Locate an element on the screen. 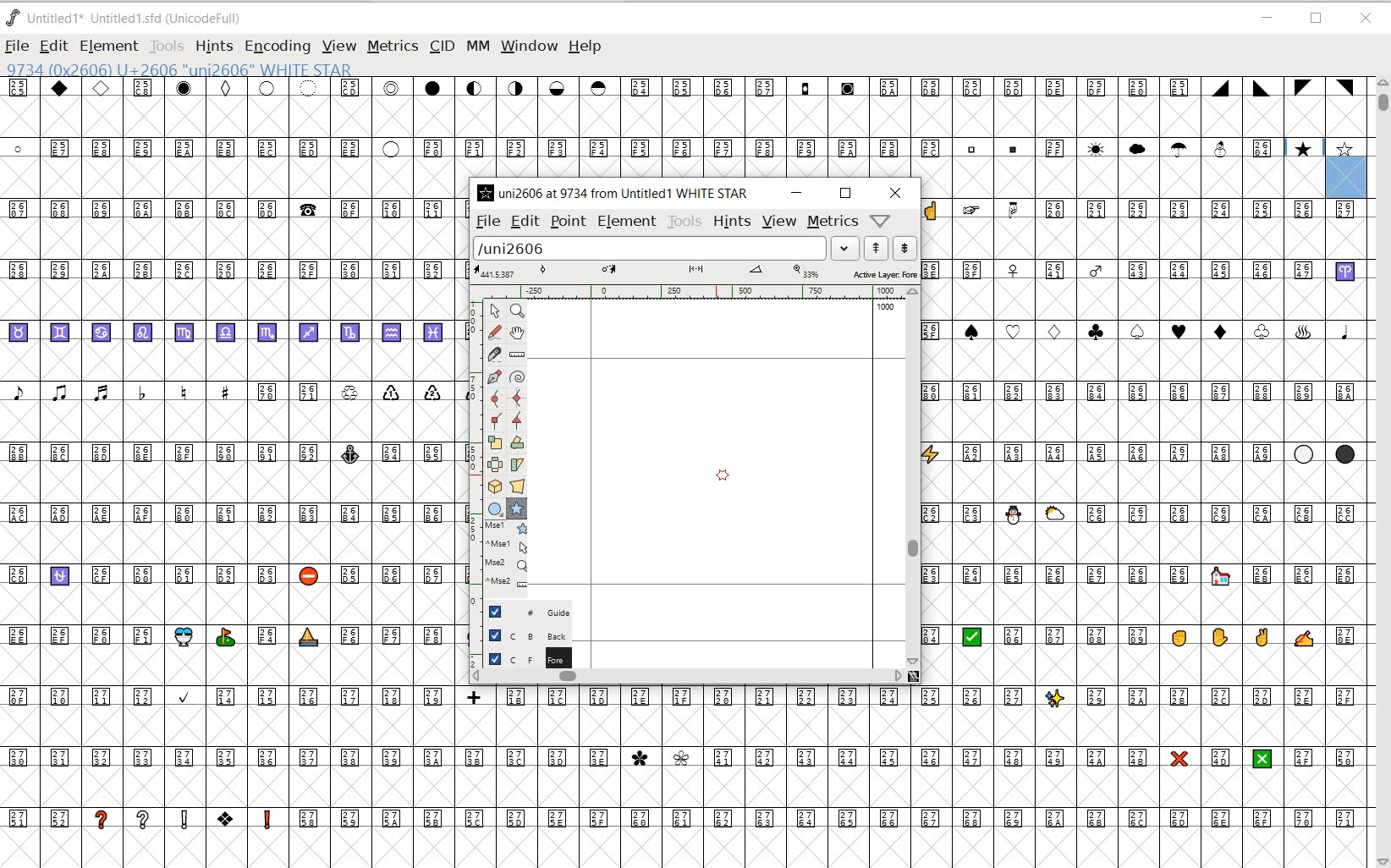 This screenshot has width=1391, height=868. POLYGON OR STAR is located at coordinates (516, 509).